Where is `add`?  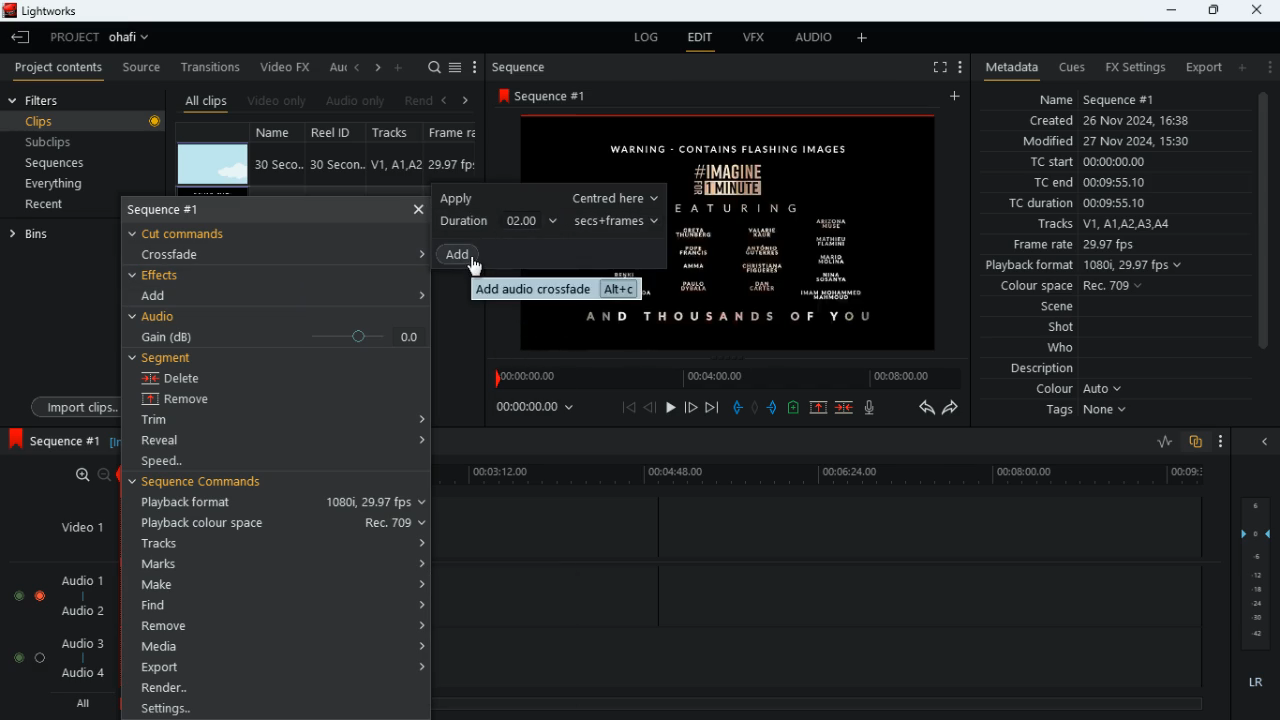
add is located at coordinates (470, 257).